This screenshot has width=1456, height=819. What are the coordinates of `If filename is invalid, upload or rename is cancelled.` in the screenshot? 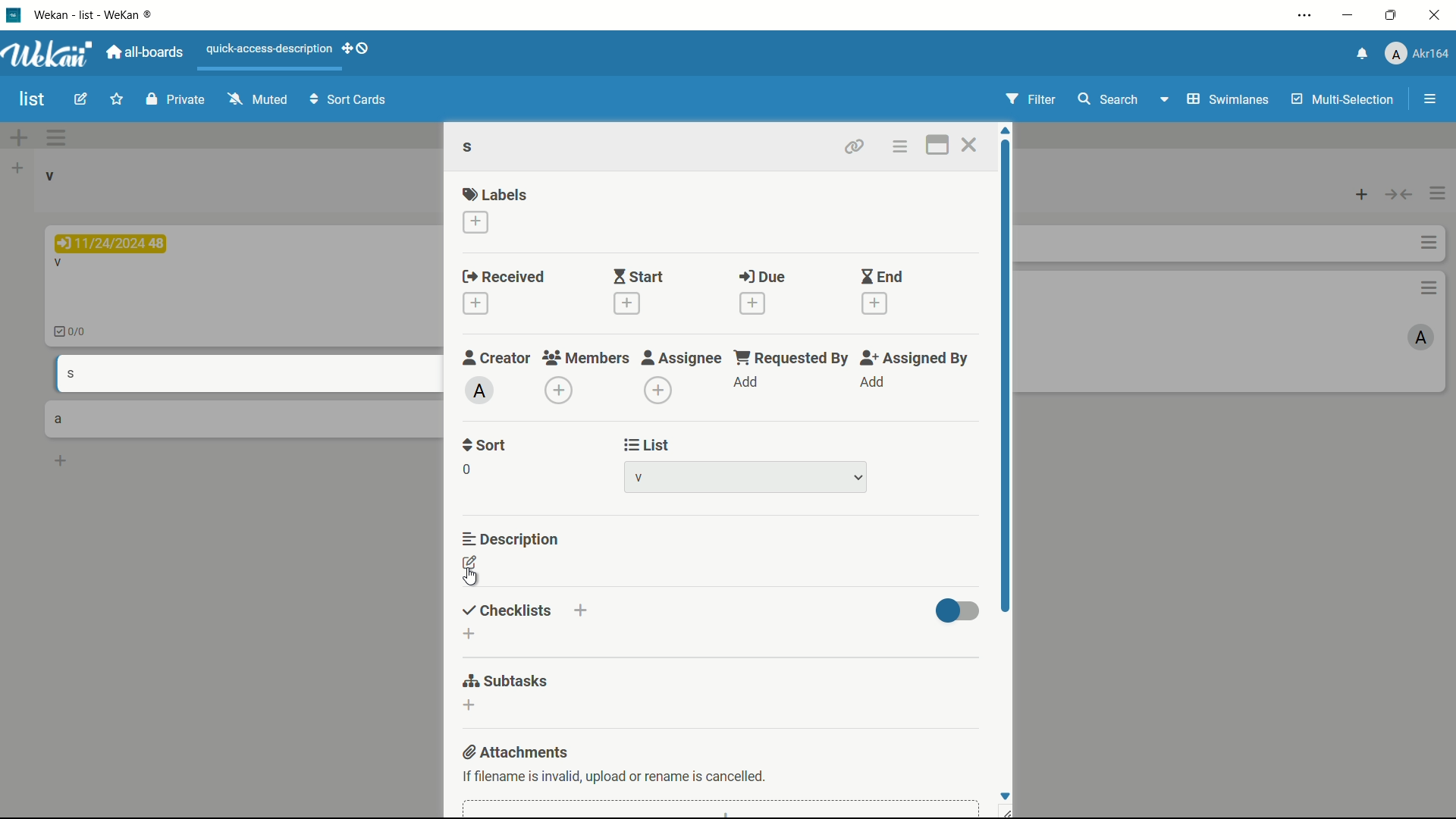 It's located at (617, 777).